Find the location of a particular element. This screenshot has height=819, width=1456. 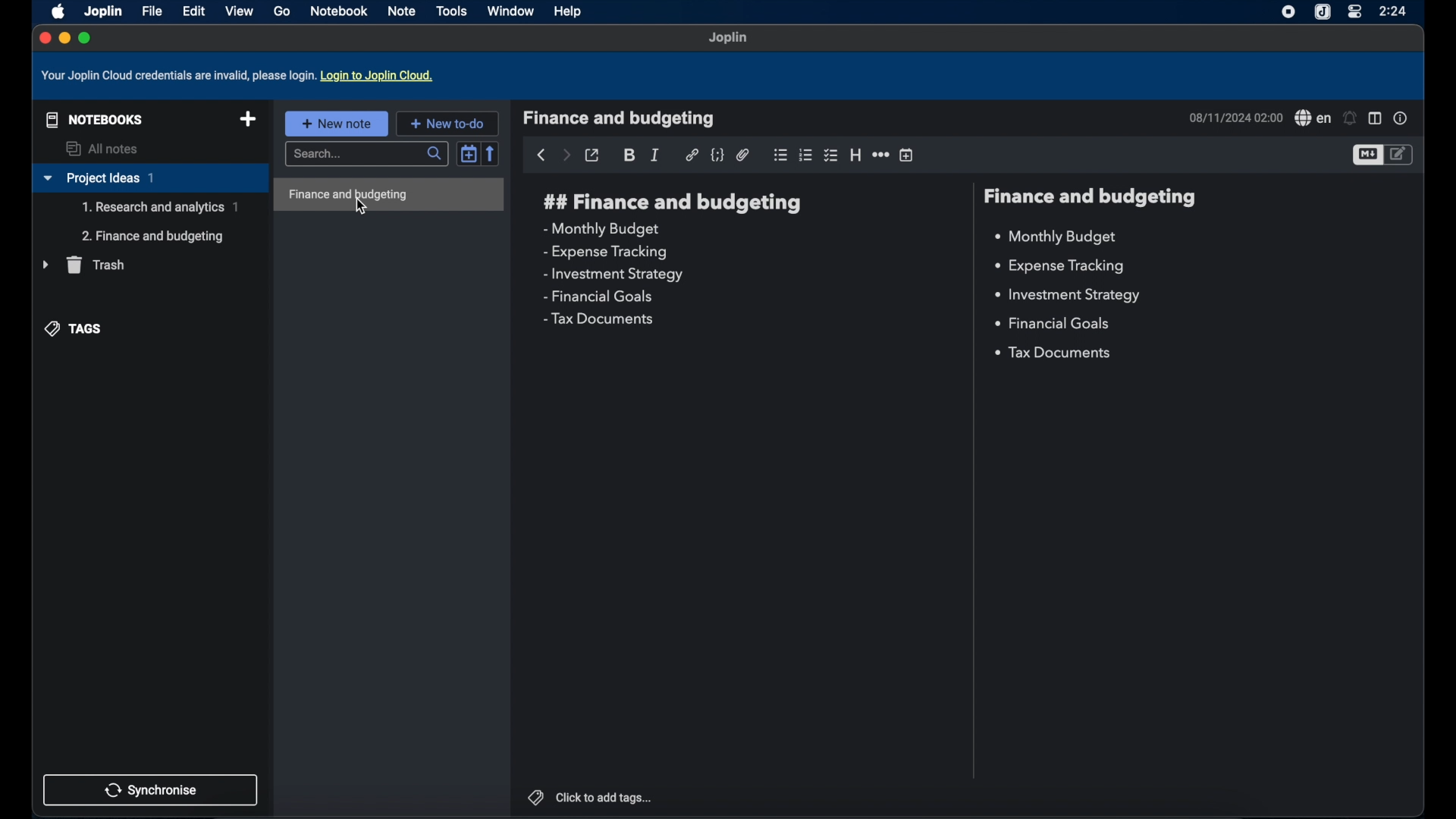

tax documents  is located at coordinates (598, 318).